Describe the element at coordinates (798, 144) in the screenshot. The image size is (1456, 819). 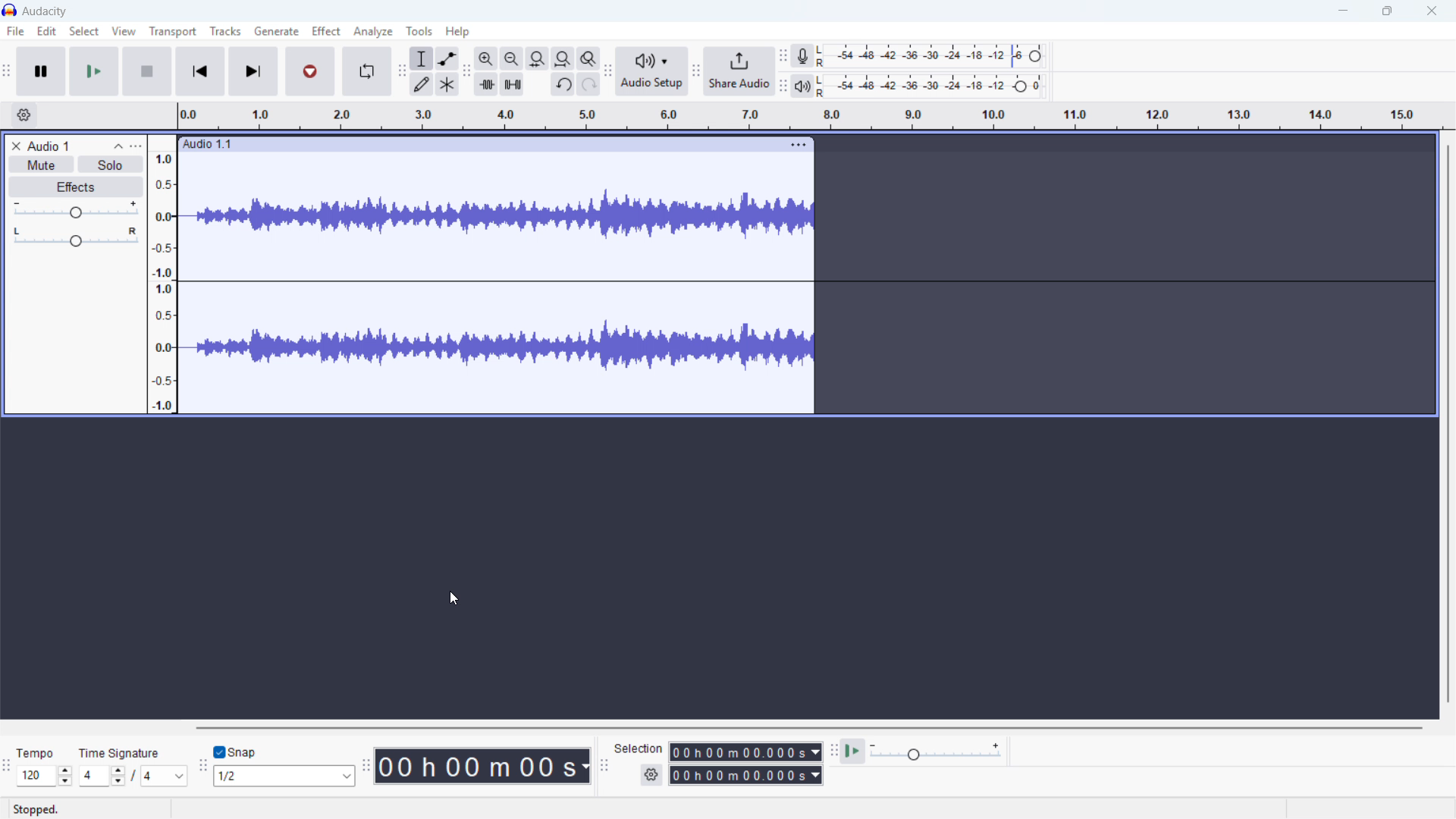
I see `Track options ` at that location.